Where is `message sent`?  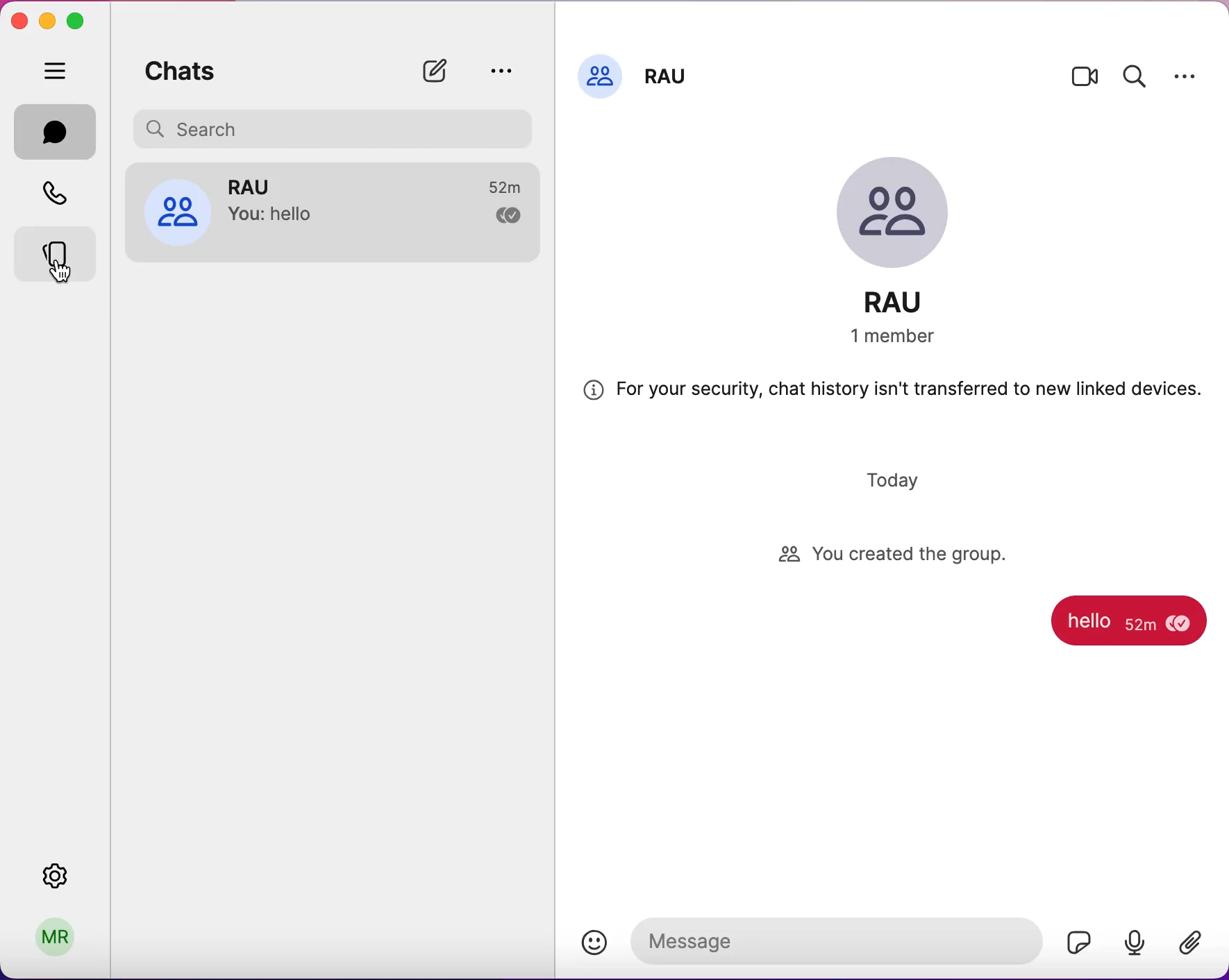 message sent is located at coordinates (1100, 624).